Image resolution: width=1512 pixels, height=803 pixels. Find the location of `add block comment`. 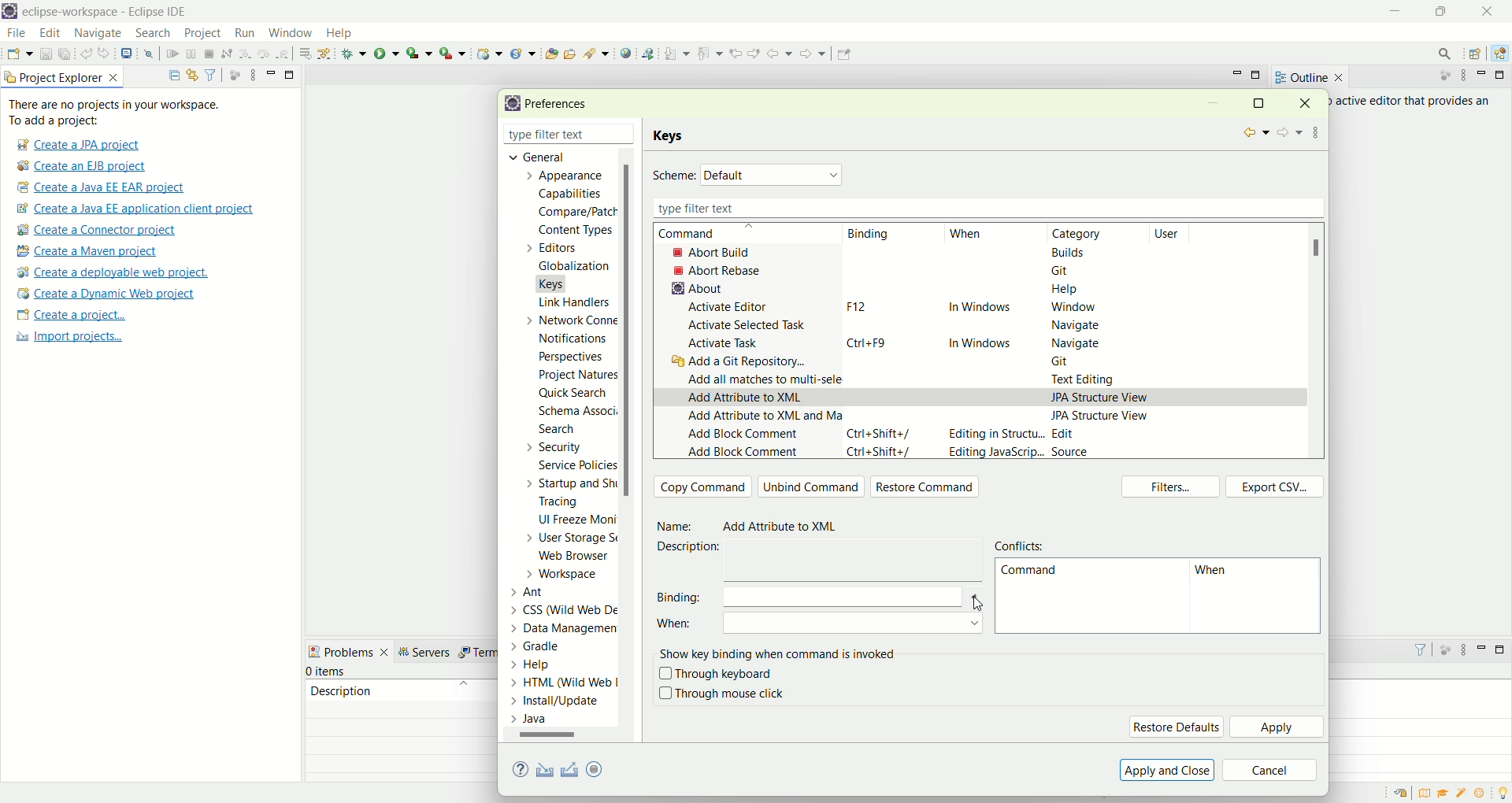

add block comment is located at coordinates (743, 451).